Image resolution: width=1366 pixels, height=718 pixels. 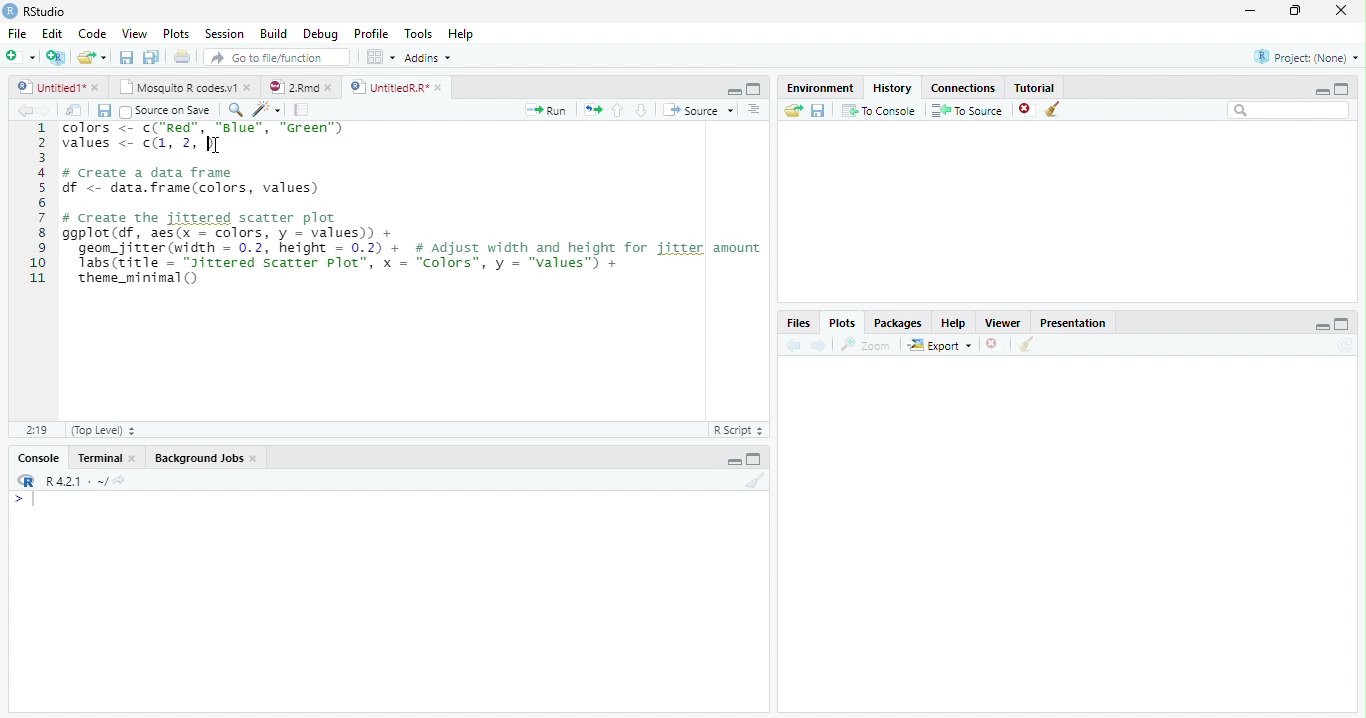 What do you see at coordinates (23, 111) in the screenshot?
I see `Go back to previous source location` at bounding box center [23, 111].